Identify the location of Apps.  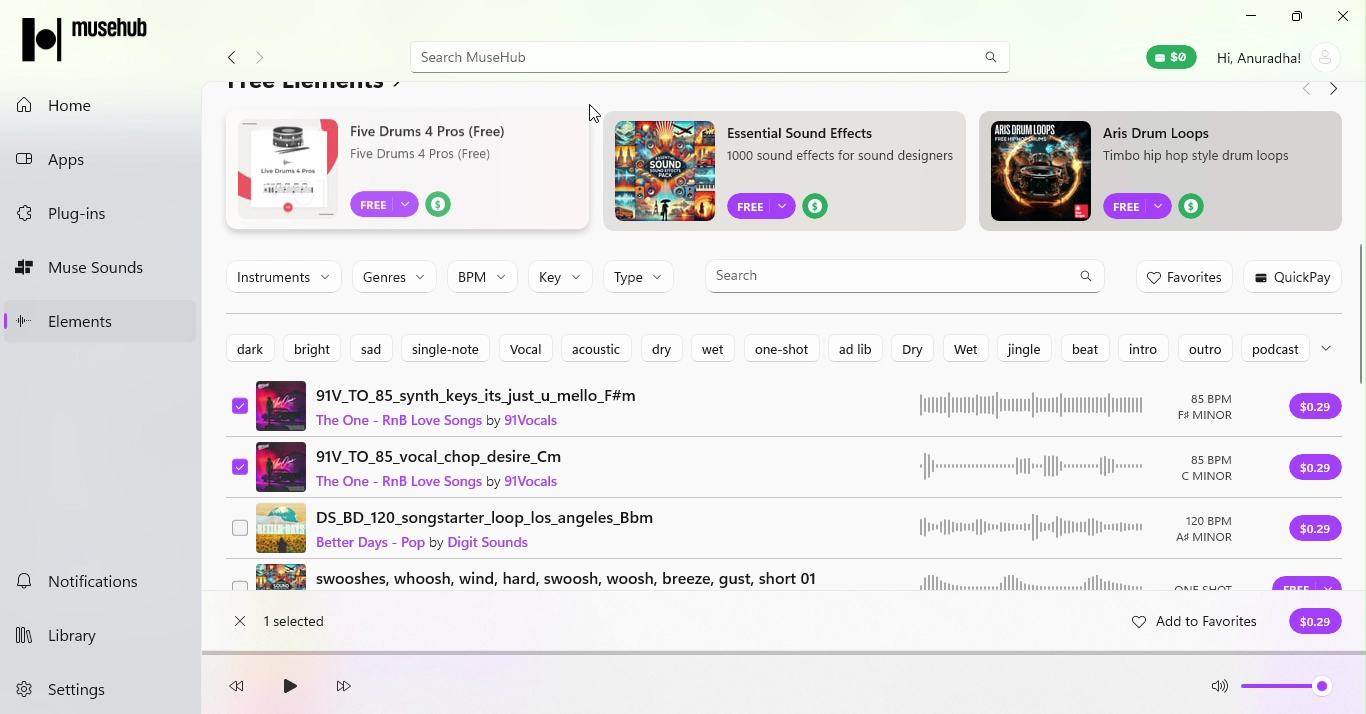
(103, 156).